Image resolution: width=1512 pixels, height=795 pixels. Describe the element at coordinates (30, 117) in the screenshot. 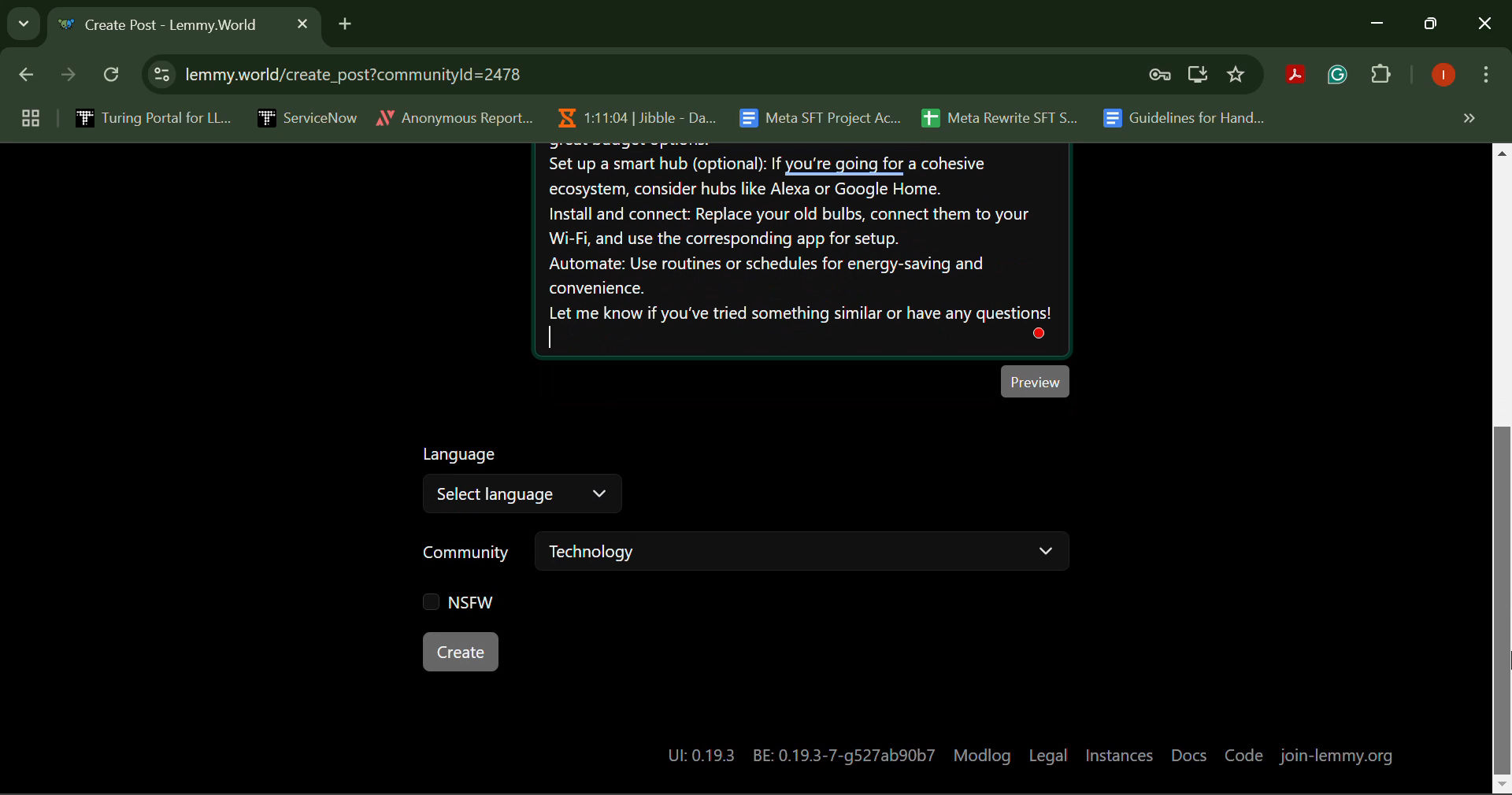

I see `Group Tabs` at that location.